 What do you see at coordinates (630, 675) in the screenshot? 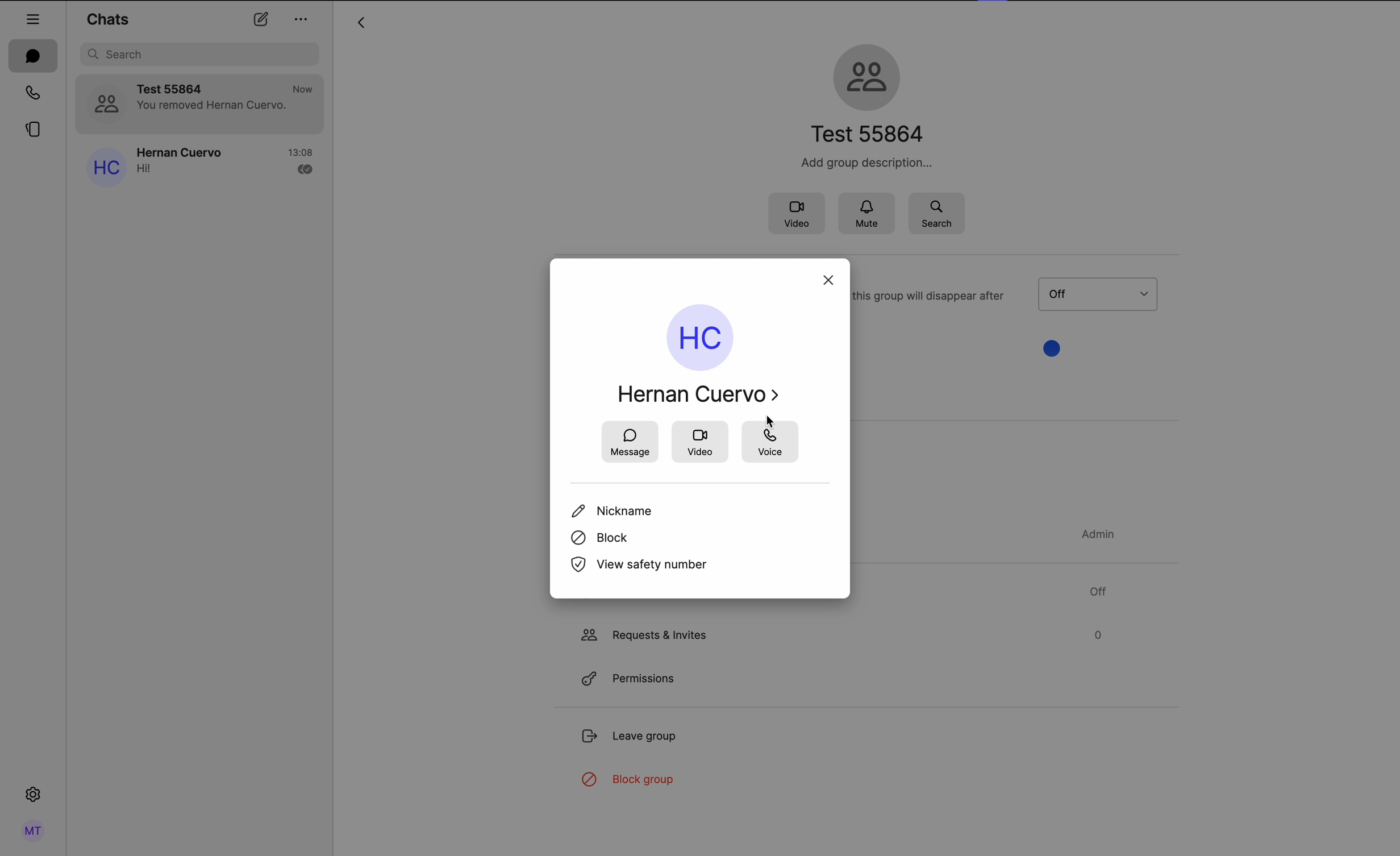
I see `permissions` at bounding box center [630, 675].